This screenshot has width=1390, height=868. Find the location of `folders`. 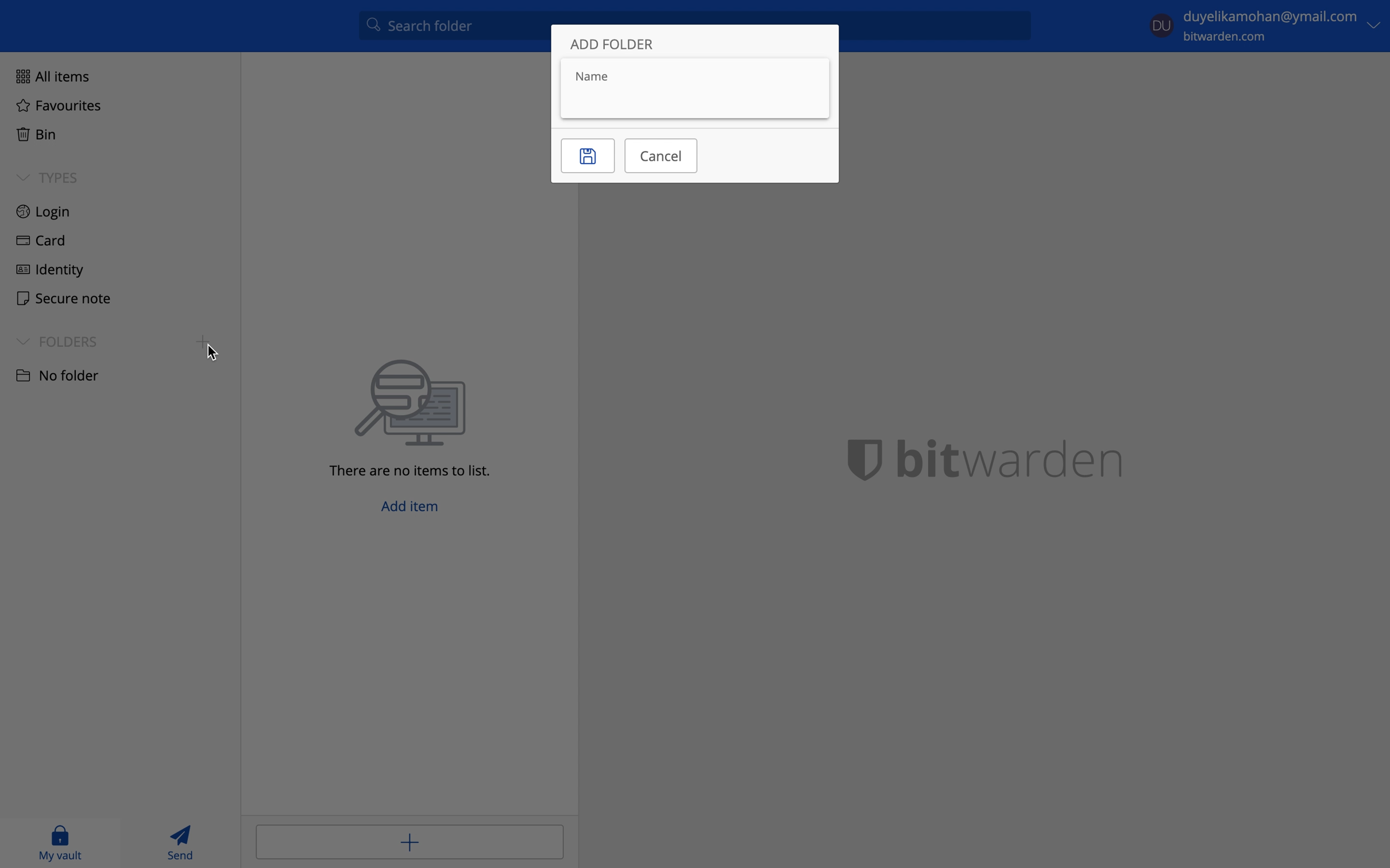

folders is located at coordinates (57, 341).